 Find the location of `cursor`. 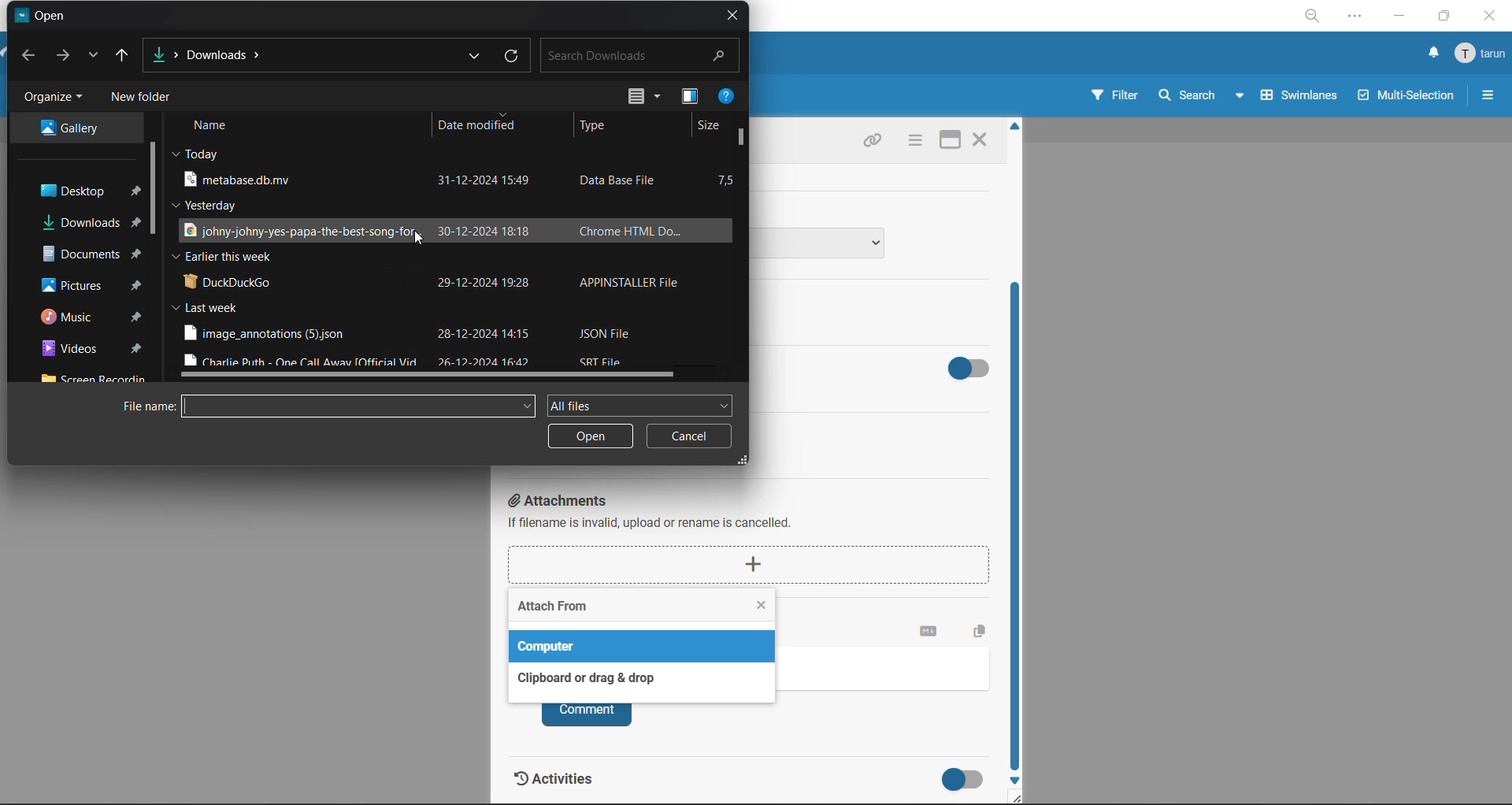

cursor is located at coordinates (419, 240).